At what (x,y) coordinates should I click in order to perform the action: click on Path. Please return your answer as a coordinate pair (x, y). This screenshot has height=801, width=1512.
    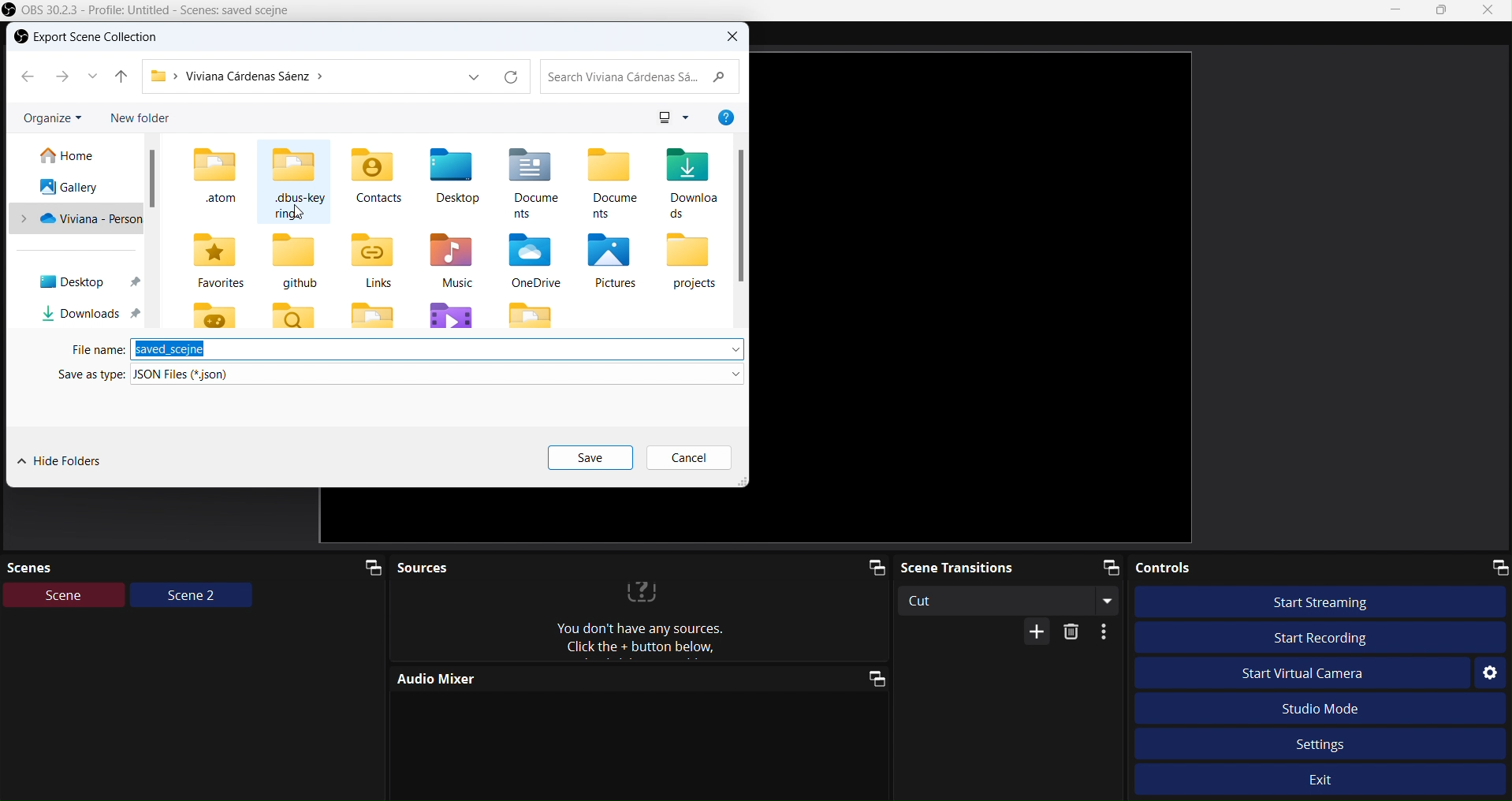
    Looking at the image, I should click on (298, 78).